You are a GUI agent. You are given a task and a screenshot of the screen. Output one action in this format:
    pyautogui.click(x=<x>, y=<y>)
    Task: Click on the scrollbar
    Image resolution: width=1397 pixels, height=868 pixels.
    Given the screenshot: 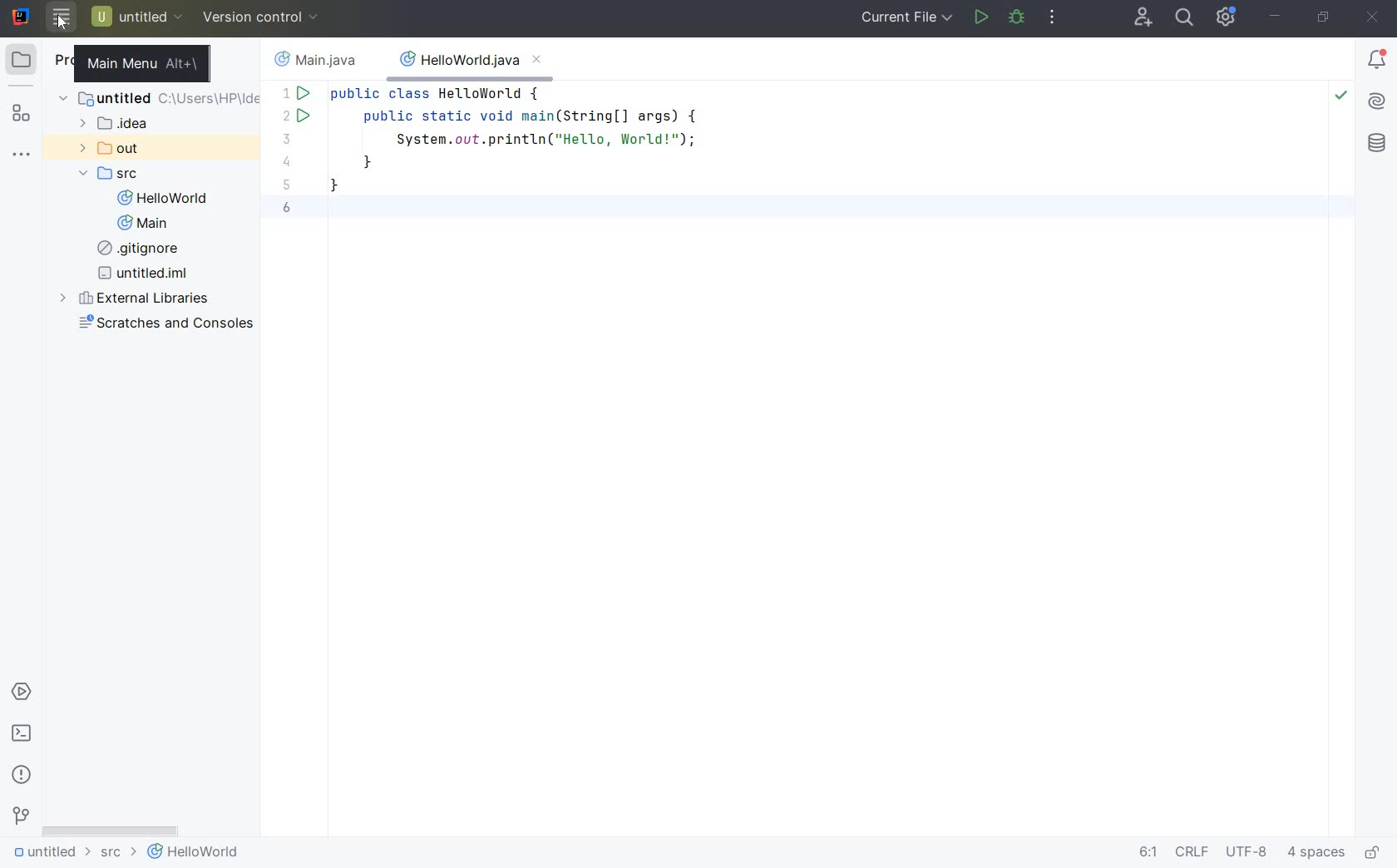 What is the action you would take?
    pyautogui.click(x=111, y=832)
    